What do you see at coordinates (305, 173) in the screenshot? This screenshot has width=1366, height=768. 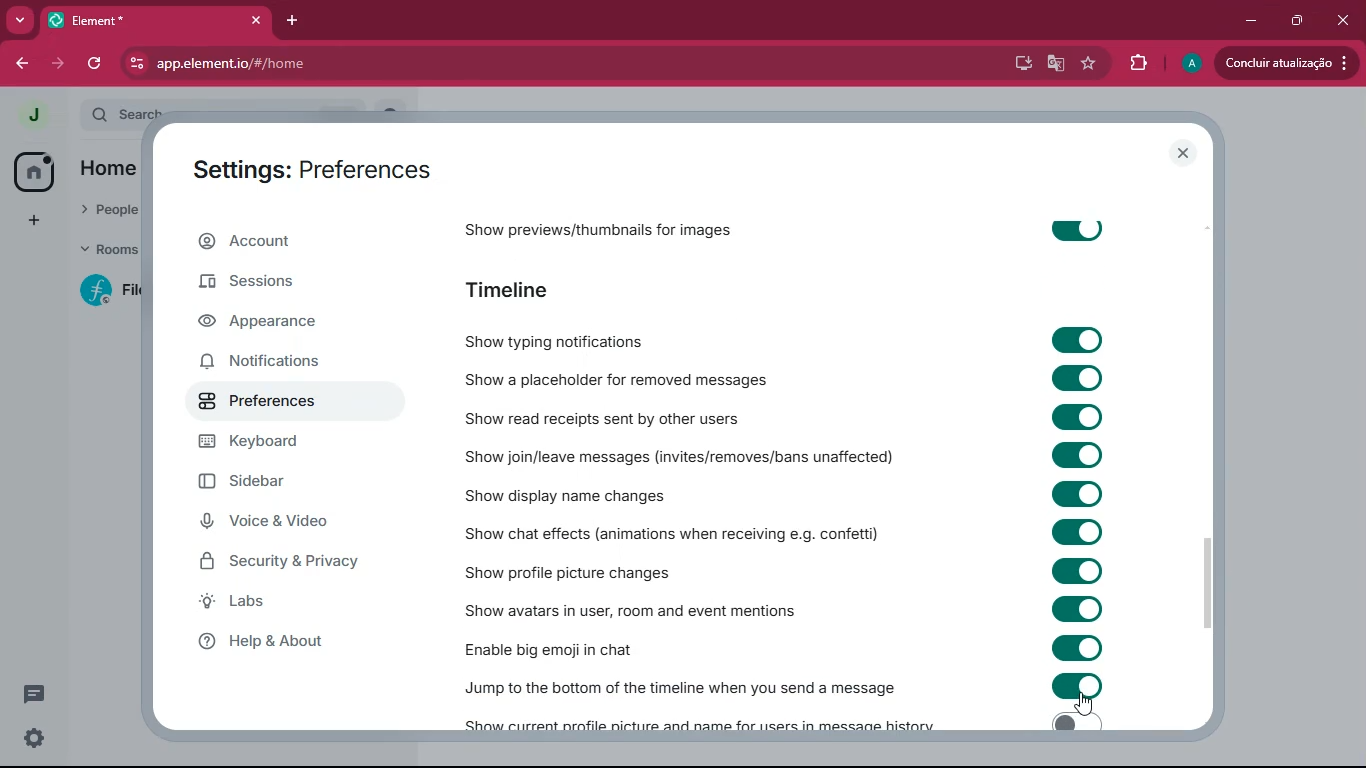 I see `settings: account` at bounding box center [305, 173].